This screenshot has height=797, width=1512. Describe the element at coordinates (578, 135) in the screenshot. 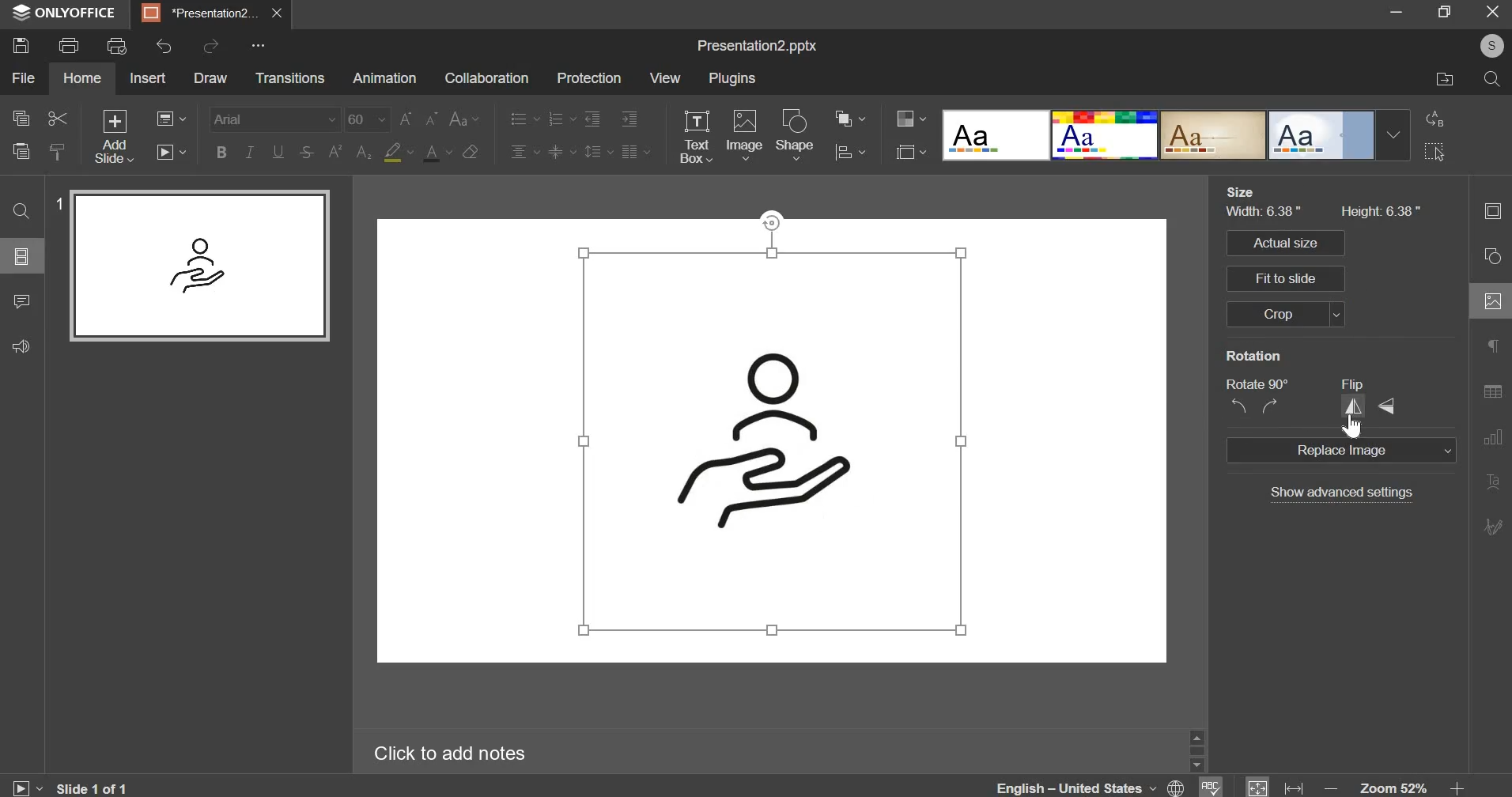

I see `text alingment settings` at that location.